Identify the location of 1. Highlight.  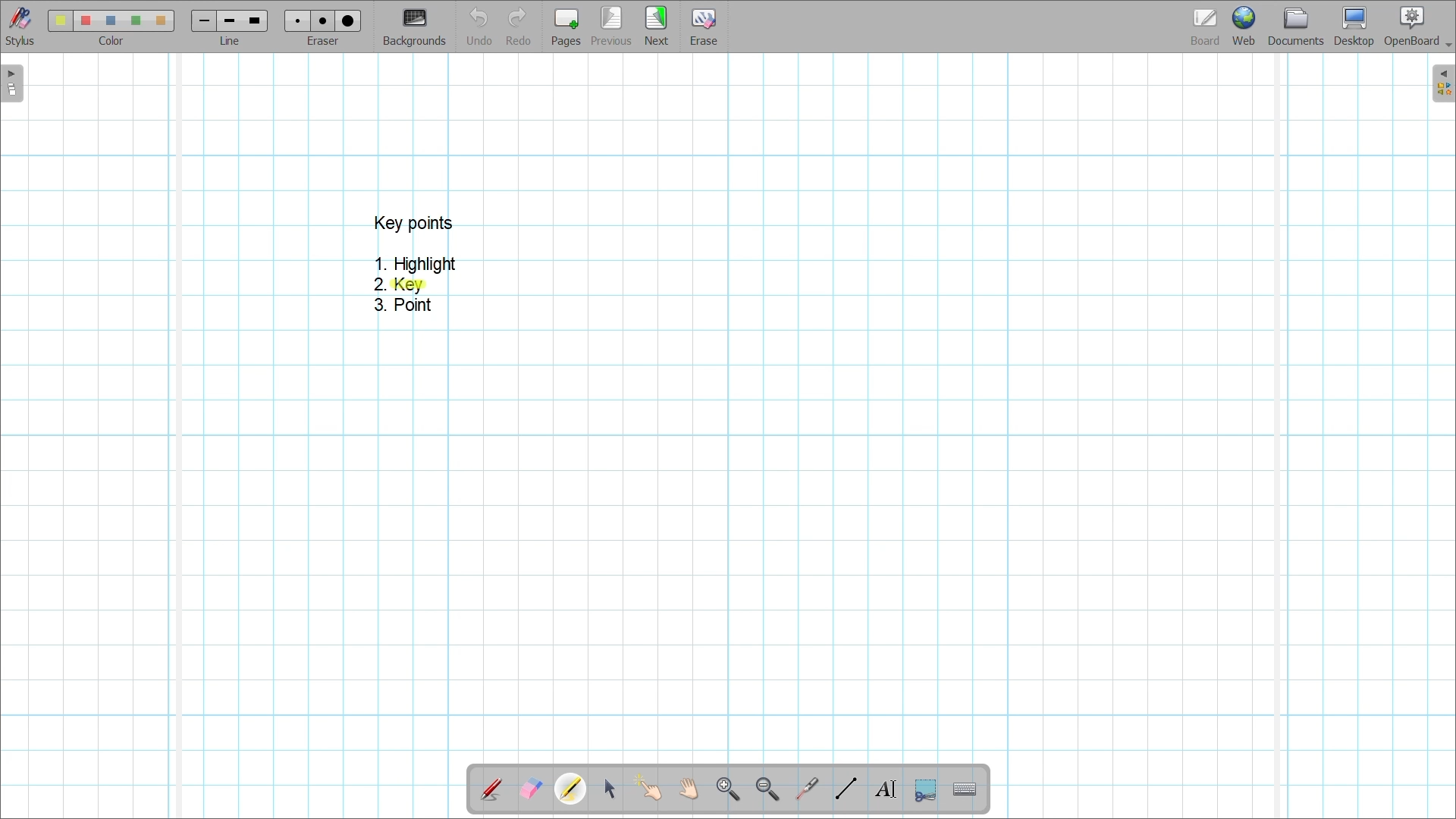
(416, 262).